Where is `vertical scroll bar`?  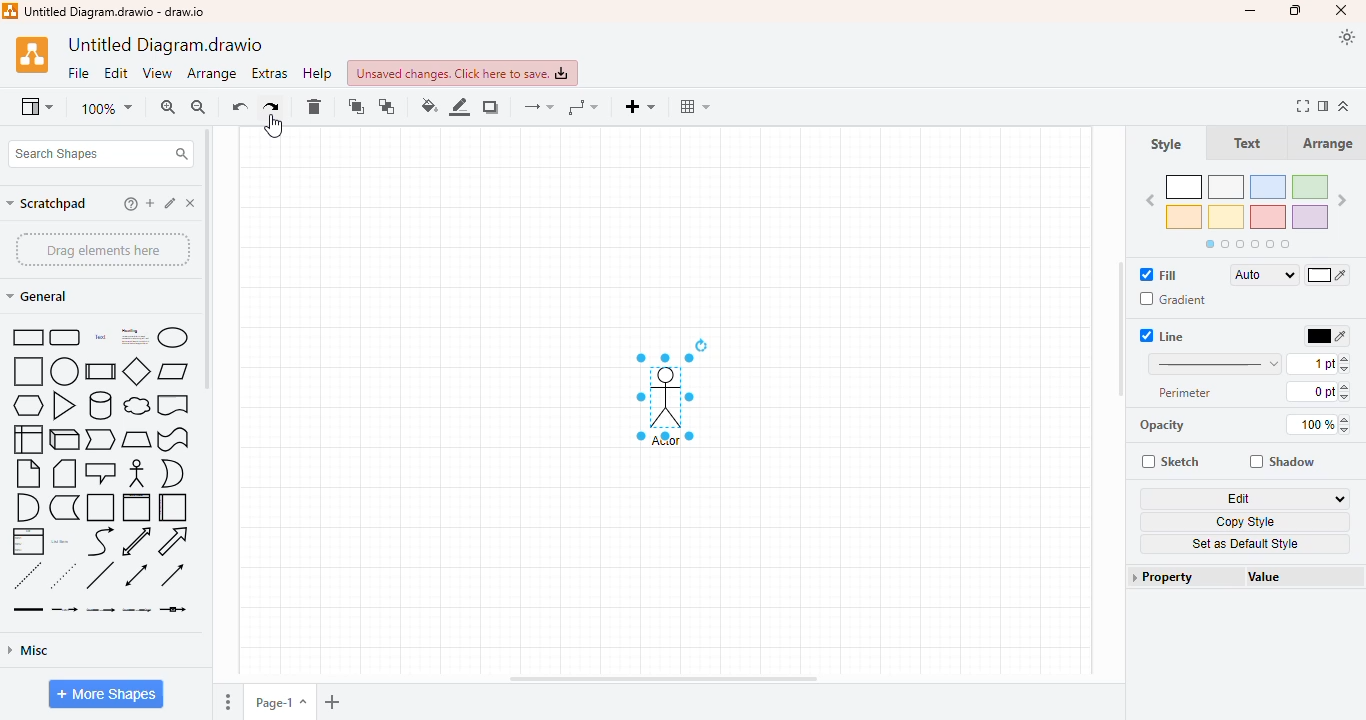 vertical scroll bar is located at coordinates (207, 258).